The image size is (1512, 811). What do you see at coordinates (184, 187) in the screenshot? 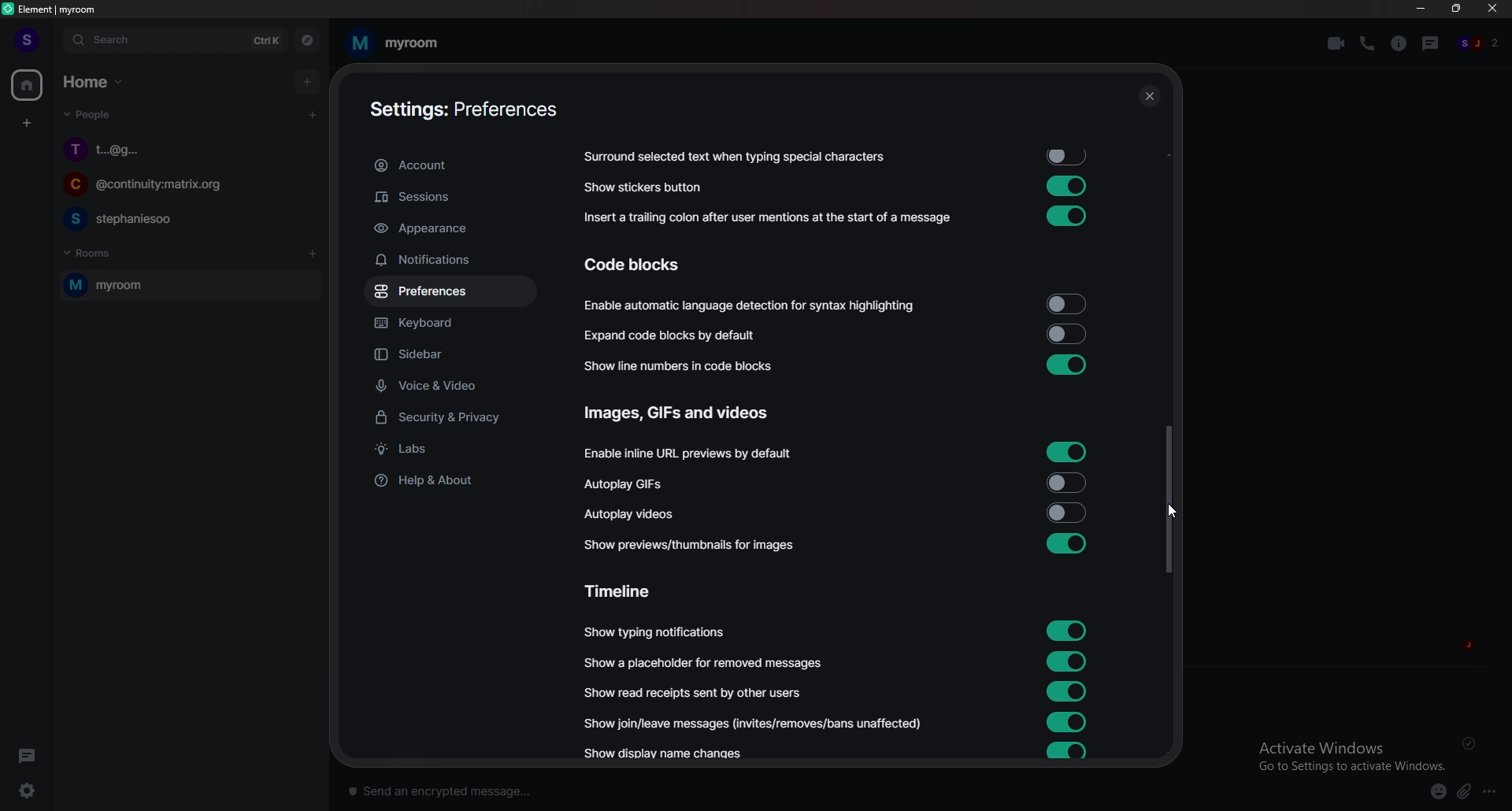
I see `chat` at bounding box center [184, 187].